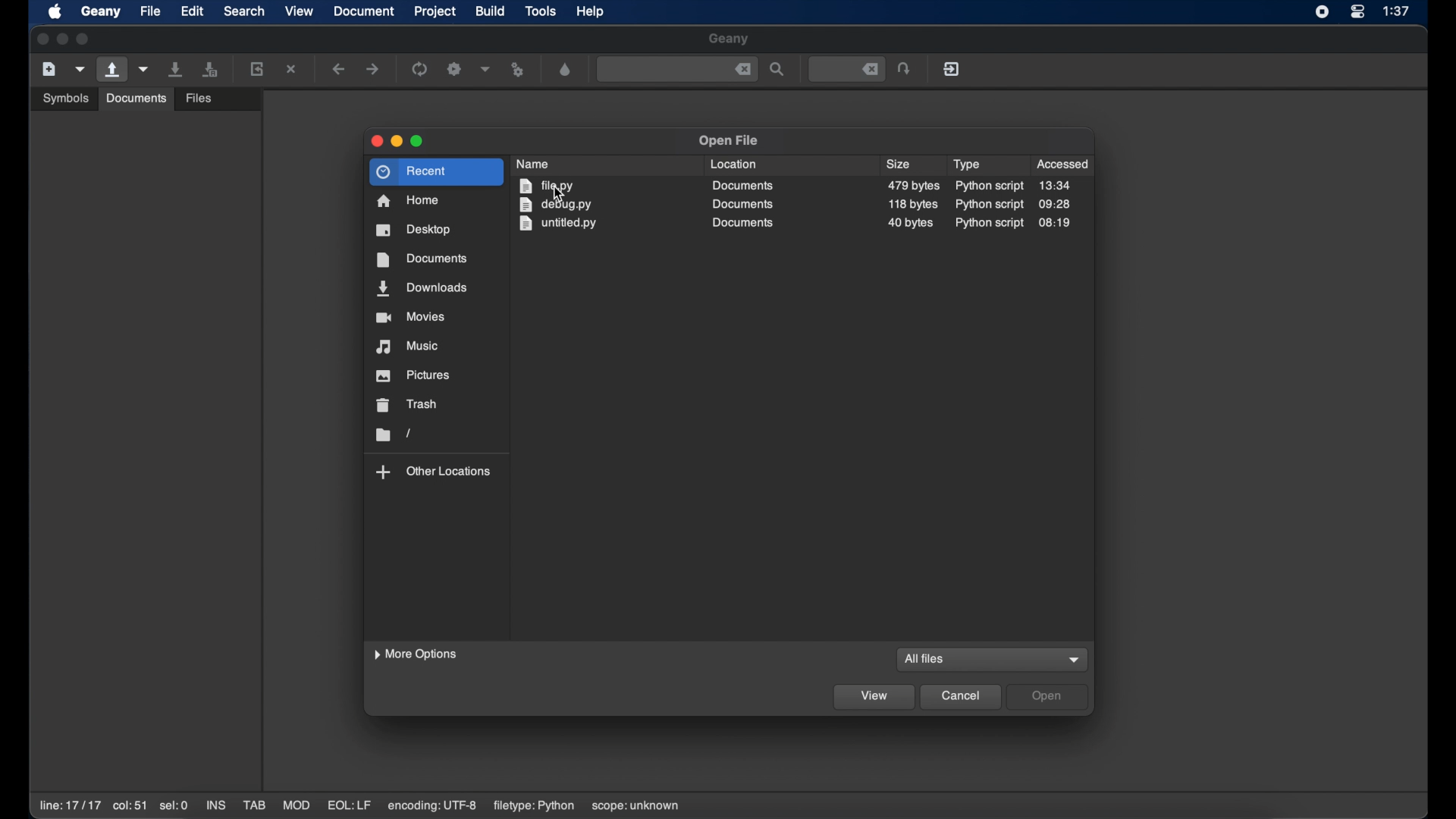  What do you see at coordinates (397, 141) in the screenshot?
I see `minimize` at bounding box center [397, 141].